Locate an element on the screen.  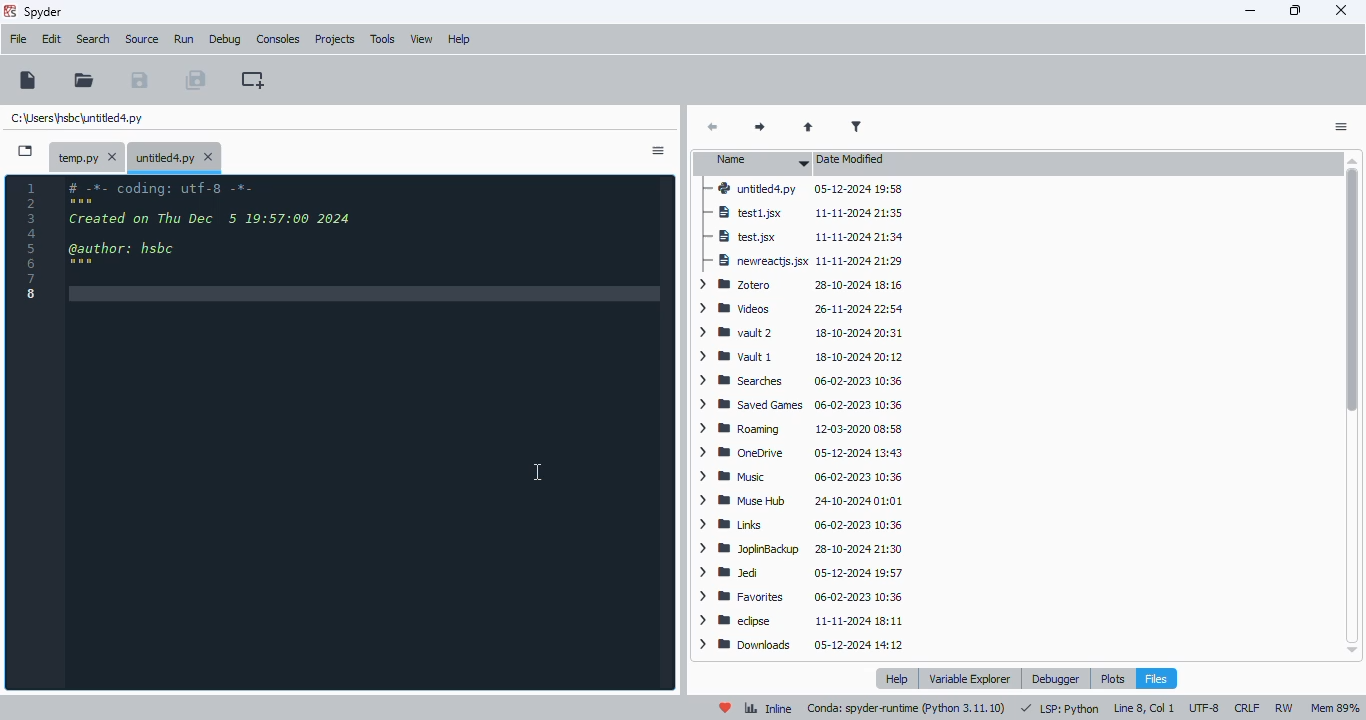
save all files is located at coordinates (196, 79).